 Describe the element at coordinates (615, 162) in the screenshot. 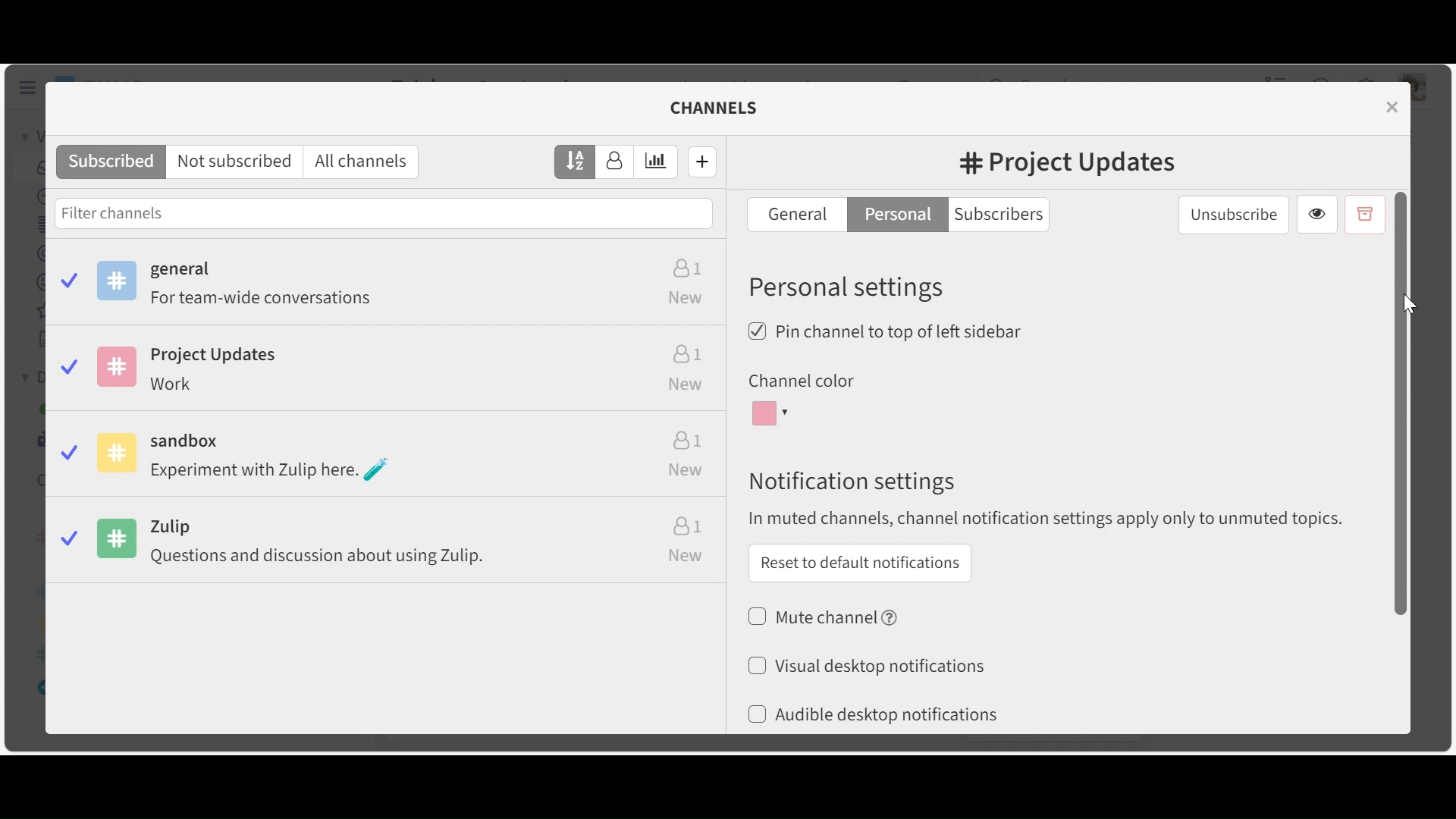

I see `Sort by number of subscribers` at that location.